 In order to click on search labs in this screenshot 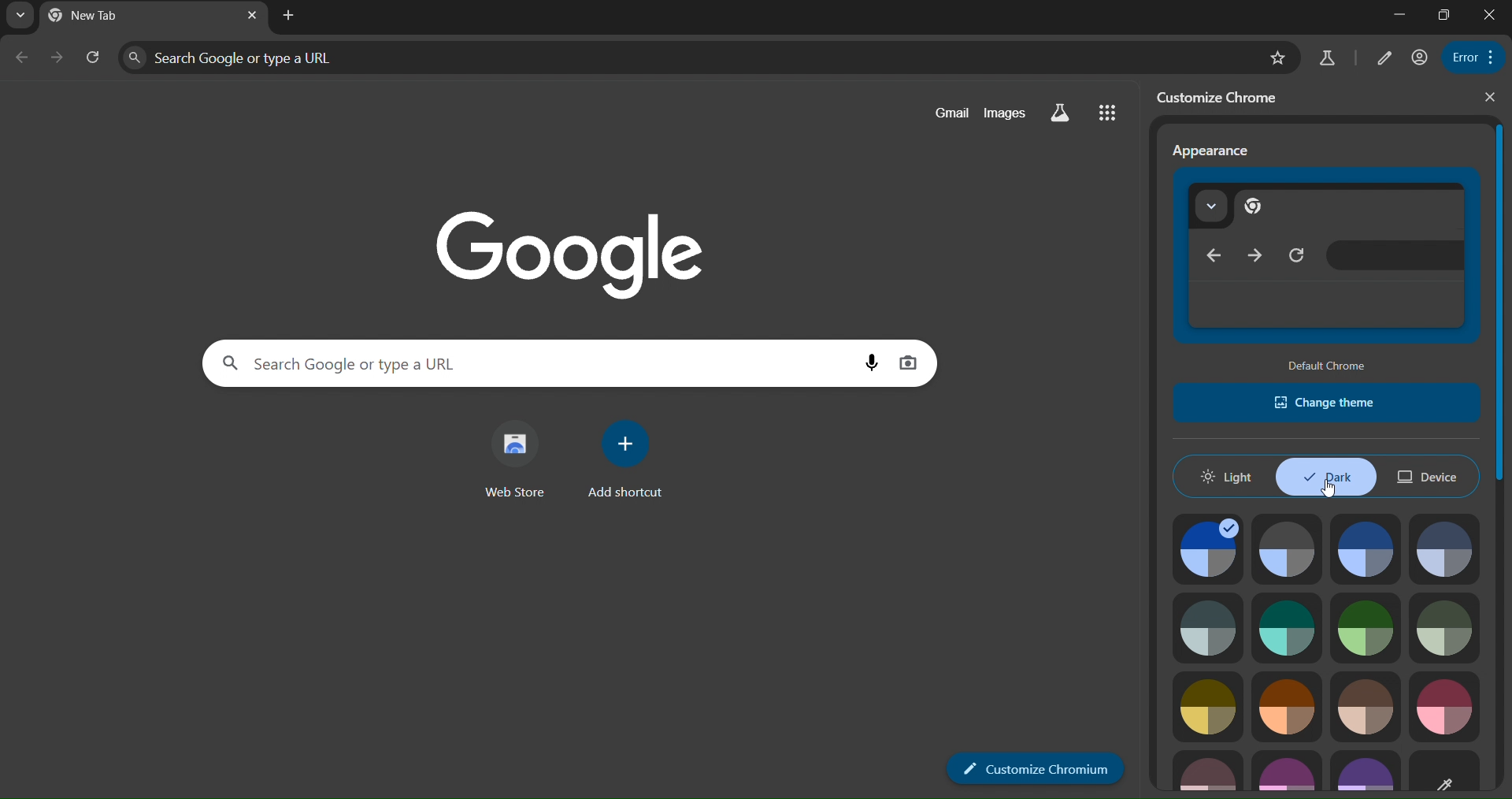, I will do `click(1327, 58)`.